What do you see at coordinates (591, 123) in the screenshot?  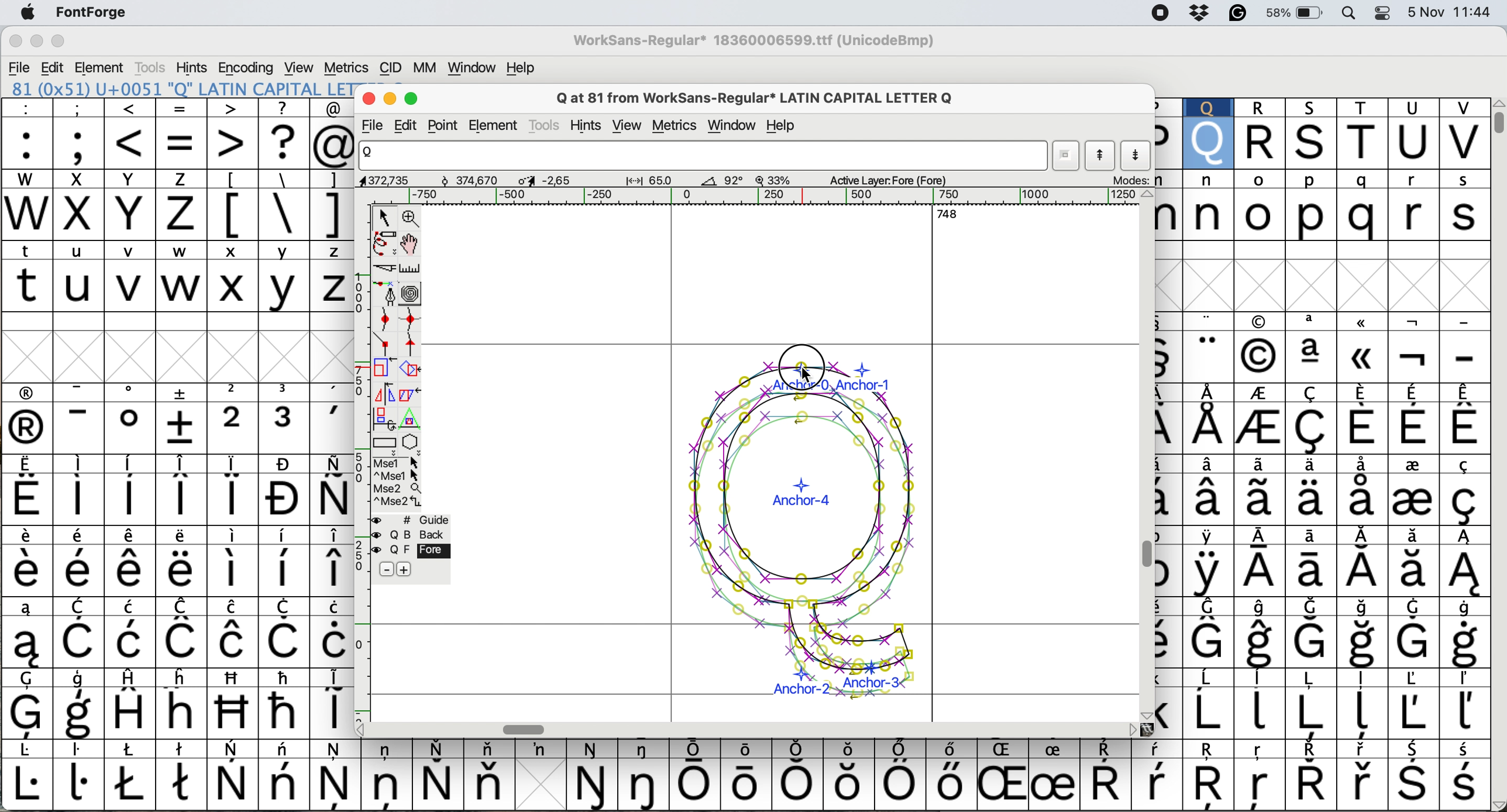 I see `hints` at bounding box center [591, 123].